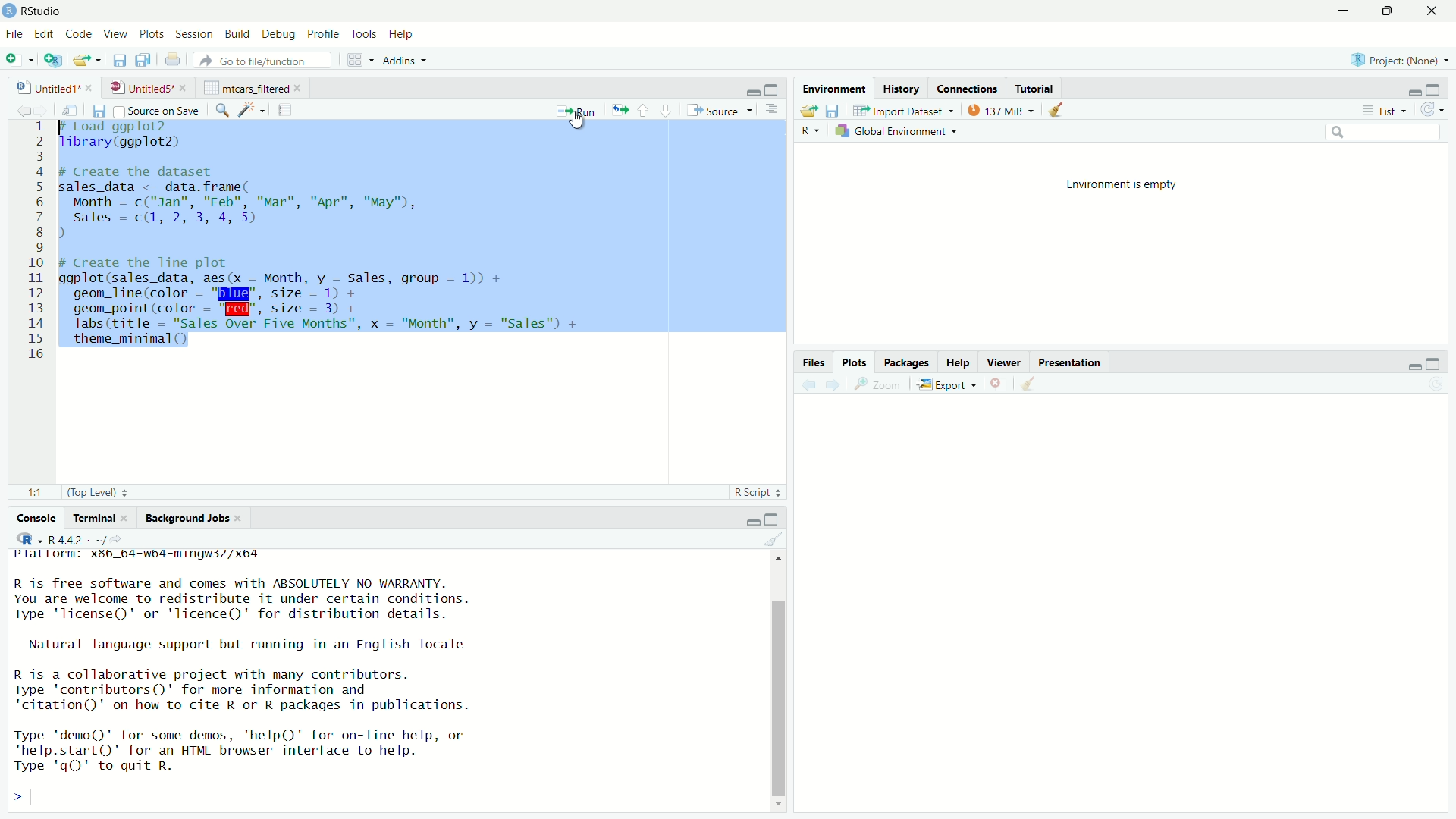 The image size is (1456, 819). I want to click on close, so click(1435, 11).